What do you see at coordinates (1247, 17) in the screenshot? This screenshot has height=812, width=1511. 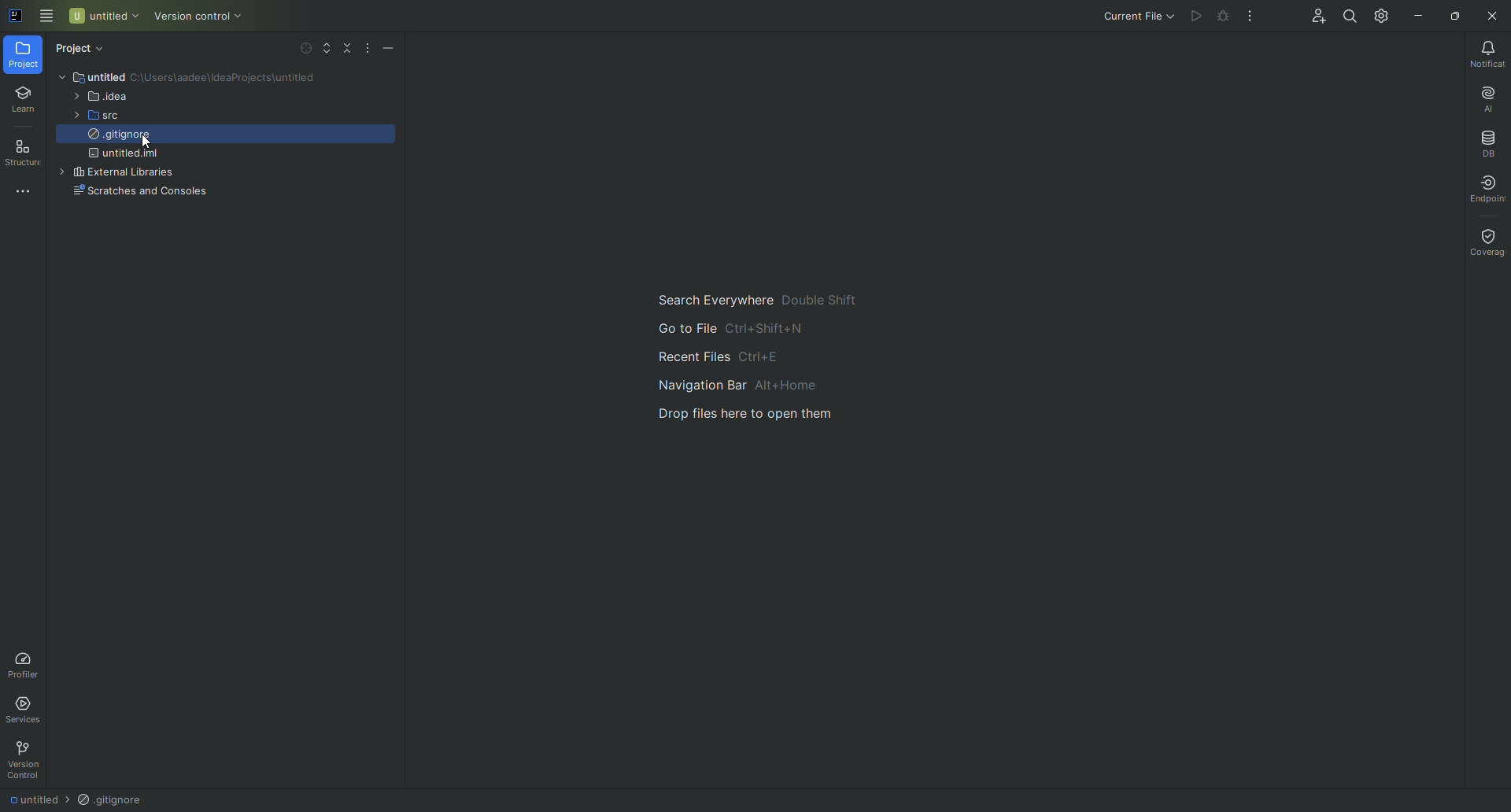 I see `More Actions` at bounding box center [1247, 17].